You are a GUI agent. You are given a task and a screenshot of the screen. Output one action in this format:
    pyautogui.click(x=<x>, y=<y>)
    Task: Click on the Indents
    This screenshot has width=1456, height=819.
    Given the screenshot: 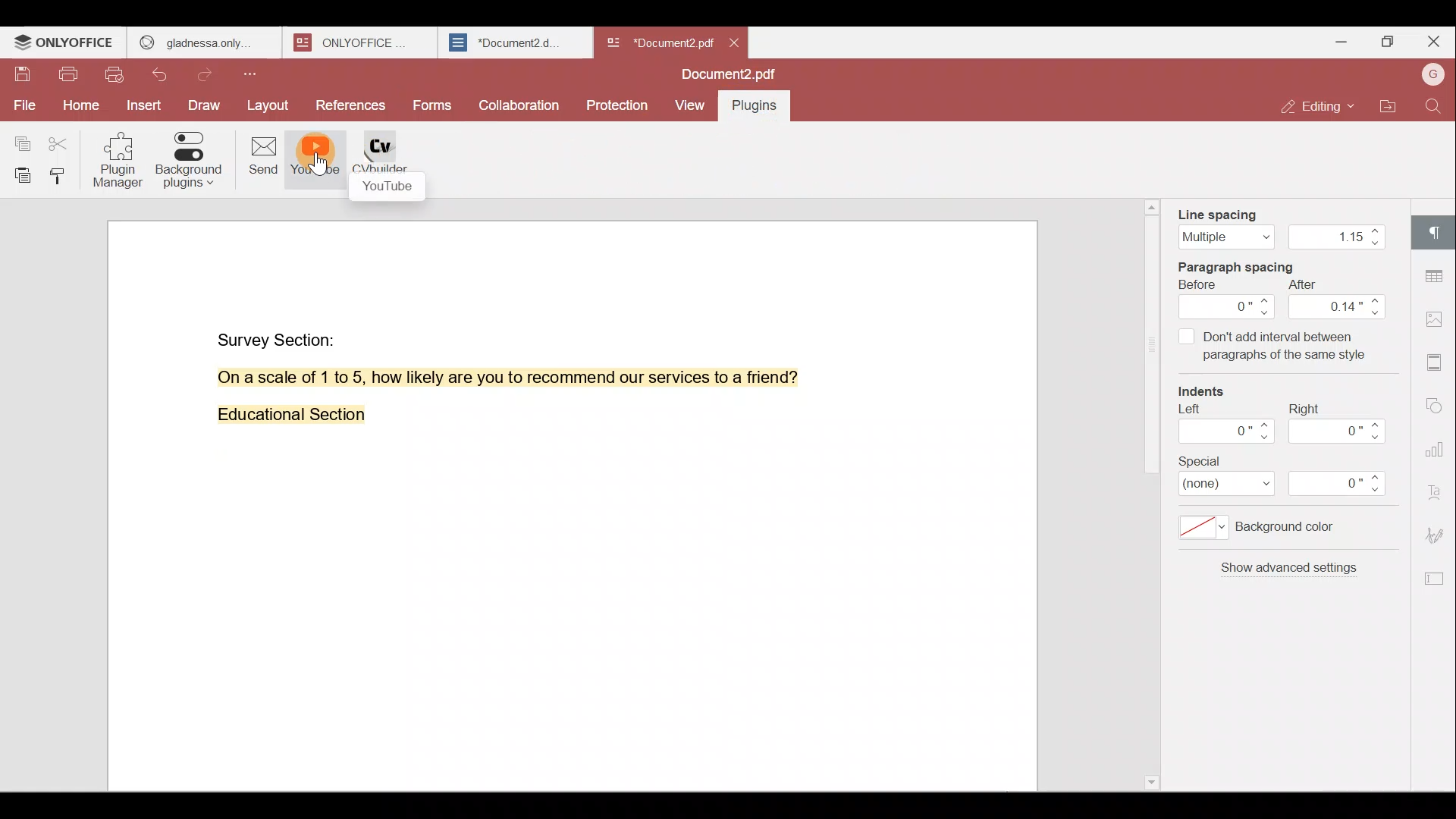 What is the action you would take?
    pyautogui.click(x=1210, y=393)
    